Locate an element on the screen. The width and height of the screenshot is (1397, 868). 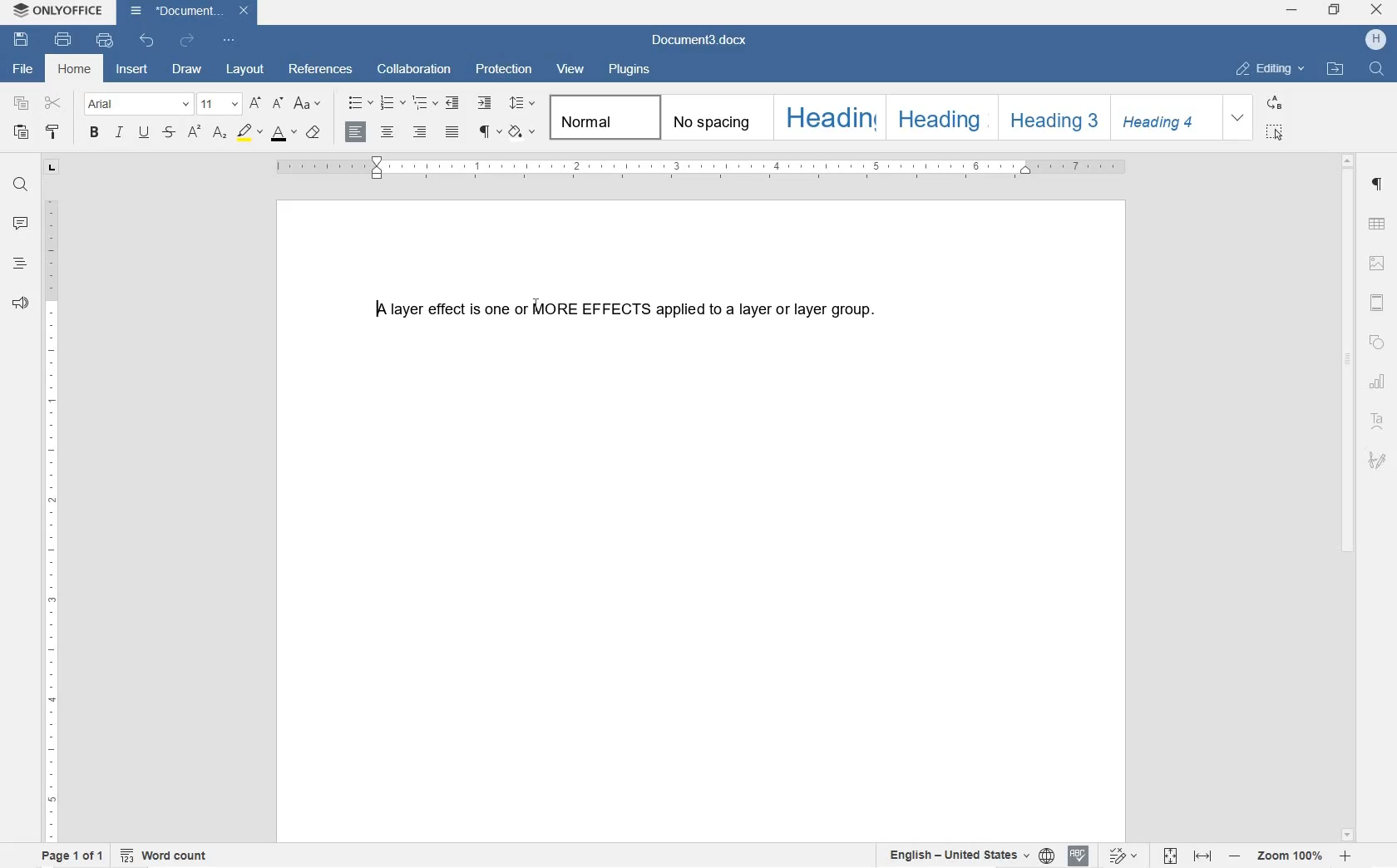
TABLE is located at coordinates (1378, 225).